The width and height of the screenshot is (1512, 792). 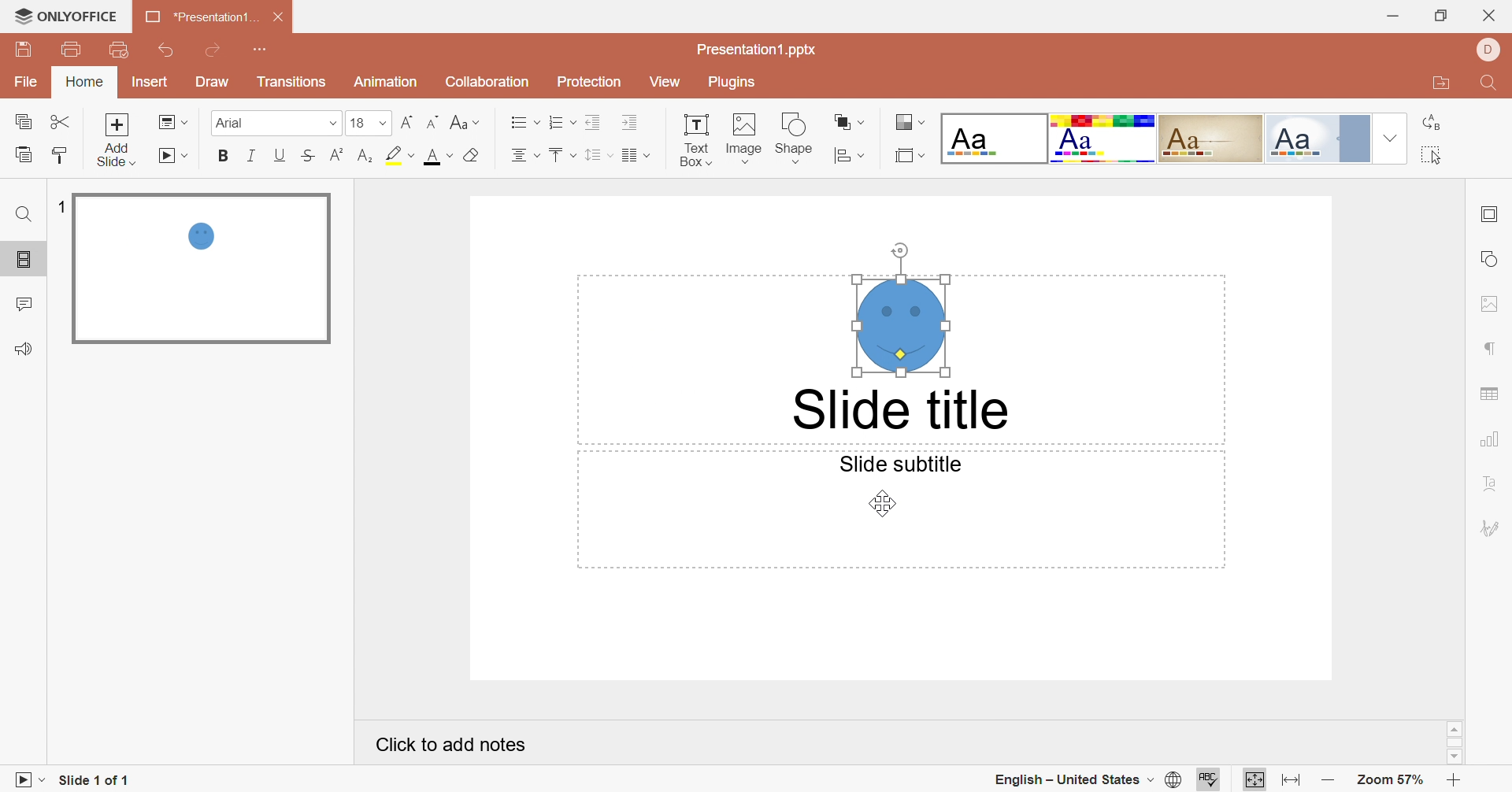 I want to click on table settings, so click(x=1496, y=393).